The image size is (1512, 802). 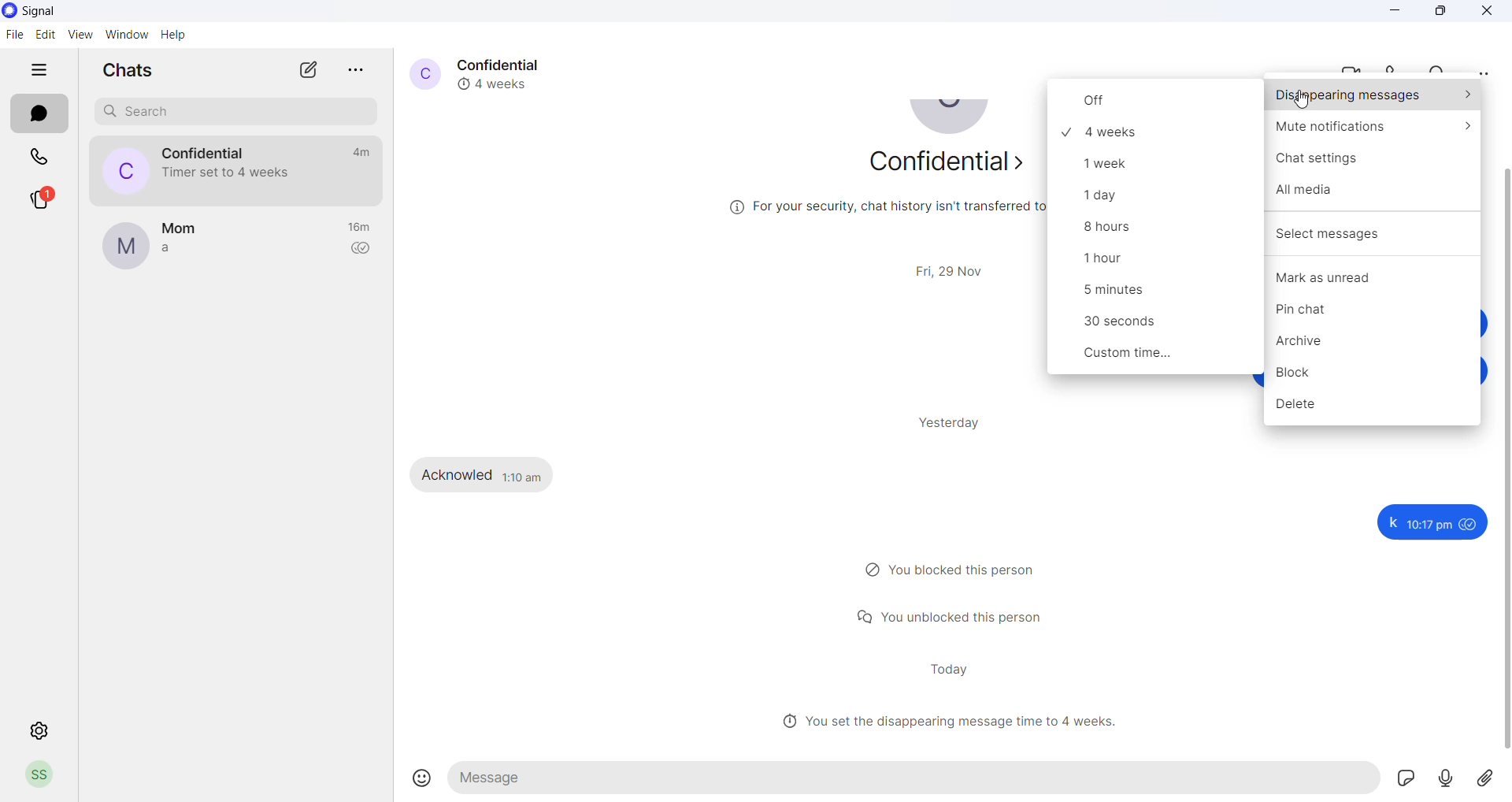 I want to click on archive, so click(x=1377, y=345).